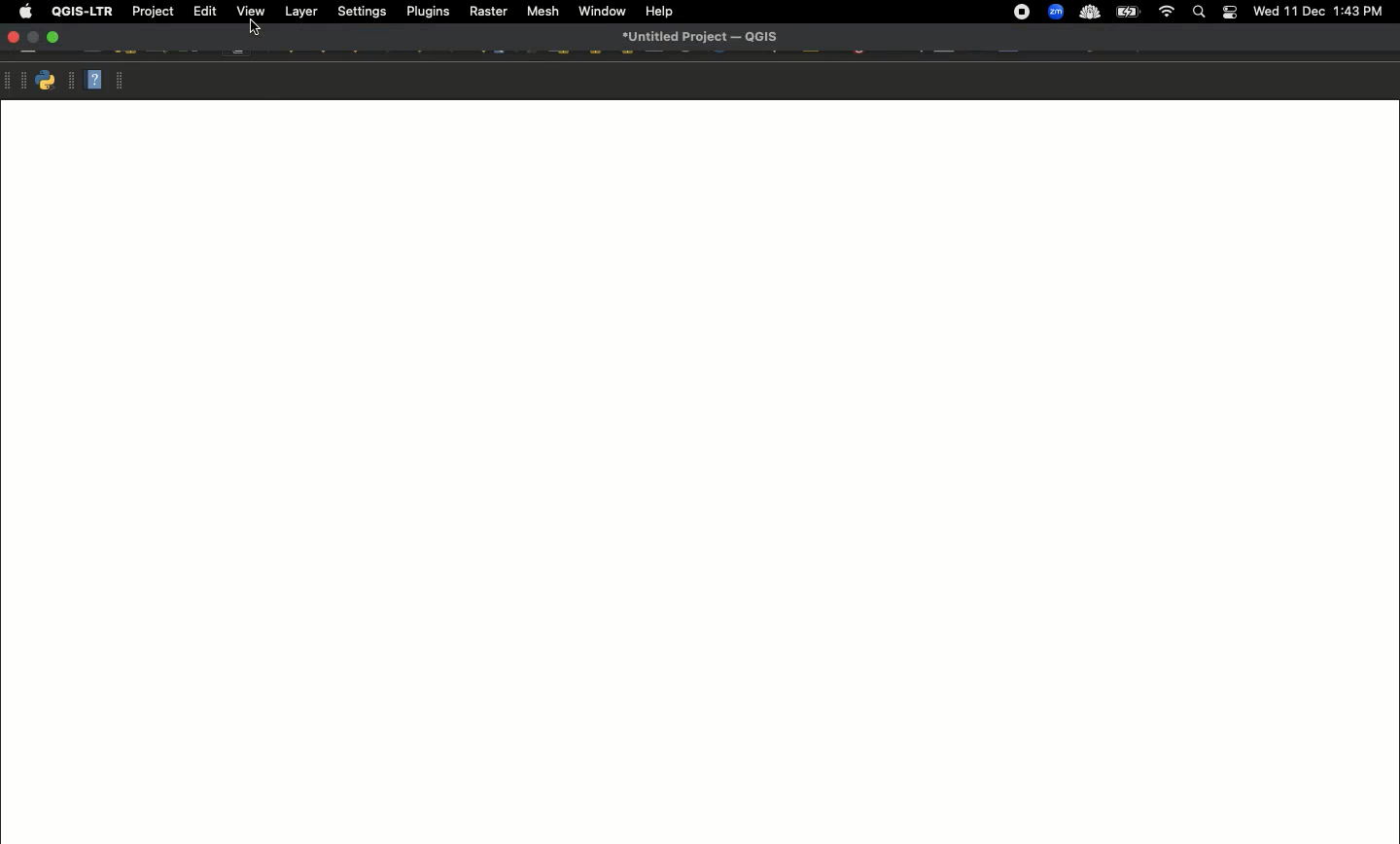 The image size is (1400, 844). Describe the element at coordinates (1132, 11) in the screenshot. I see `battery` at that location.